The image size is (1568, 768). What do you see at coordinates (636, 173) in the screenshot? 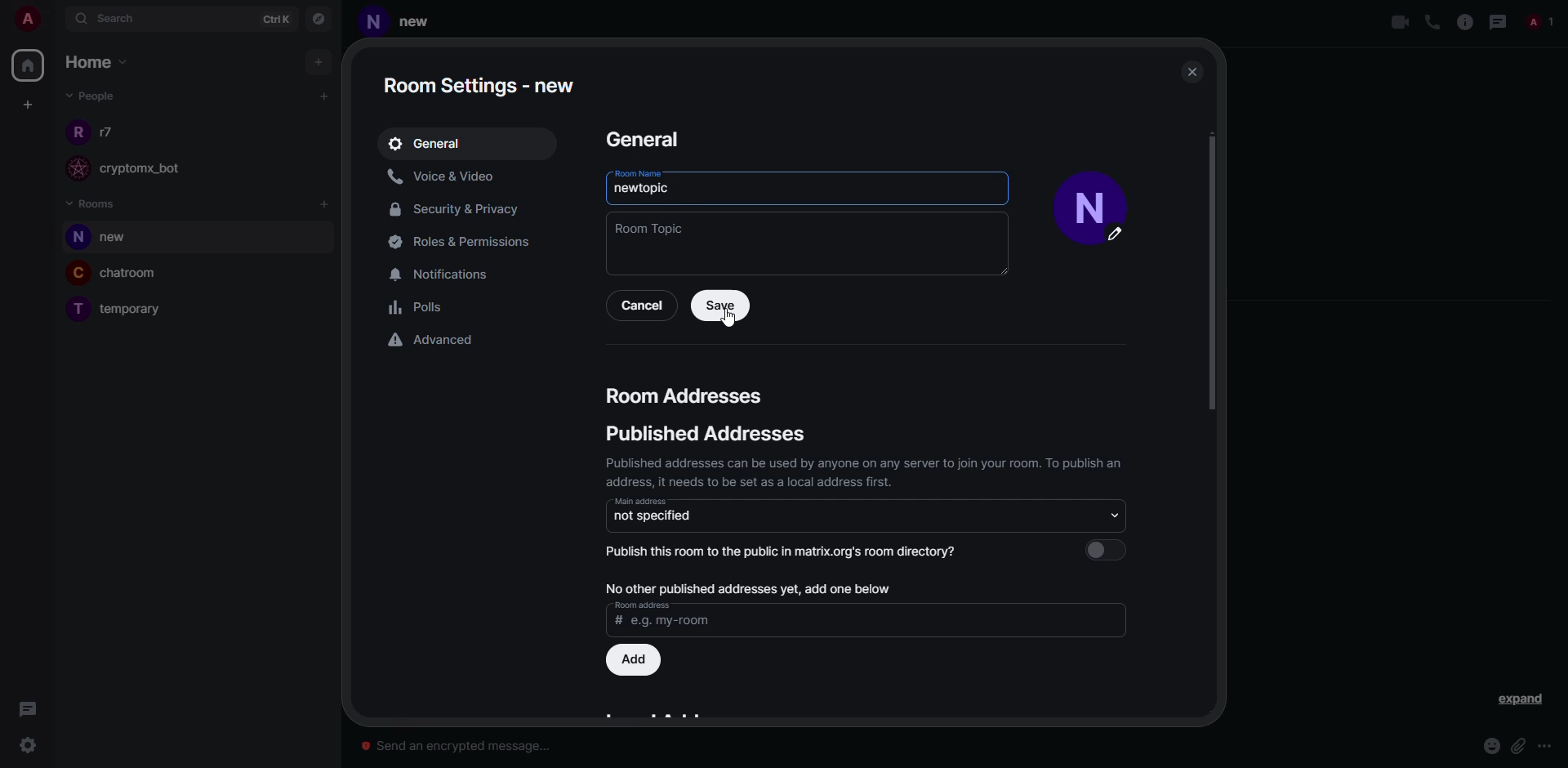
I see `room name` at bounding box center [636, 173].